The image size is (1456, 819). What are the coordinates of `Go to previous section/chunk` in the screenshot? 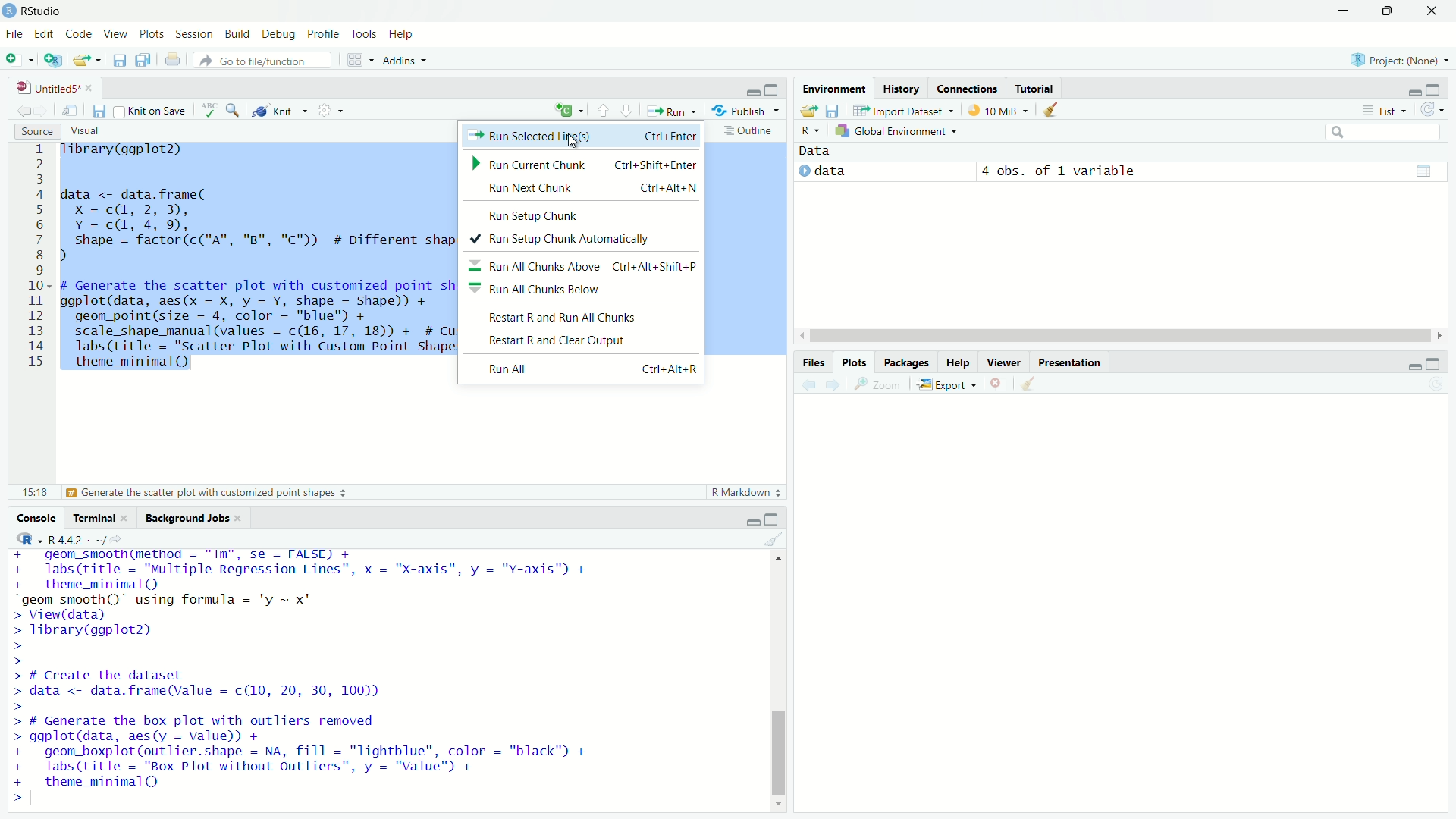 It's located at (604, 110).